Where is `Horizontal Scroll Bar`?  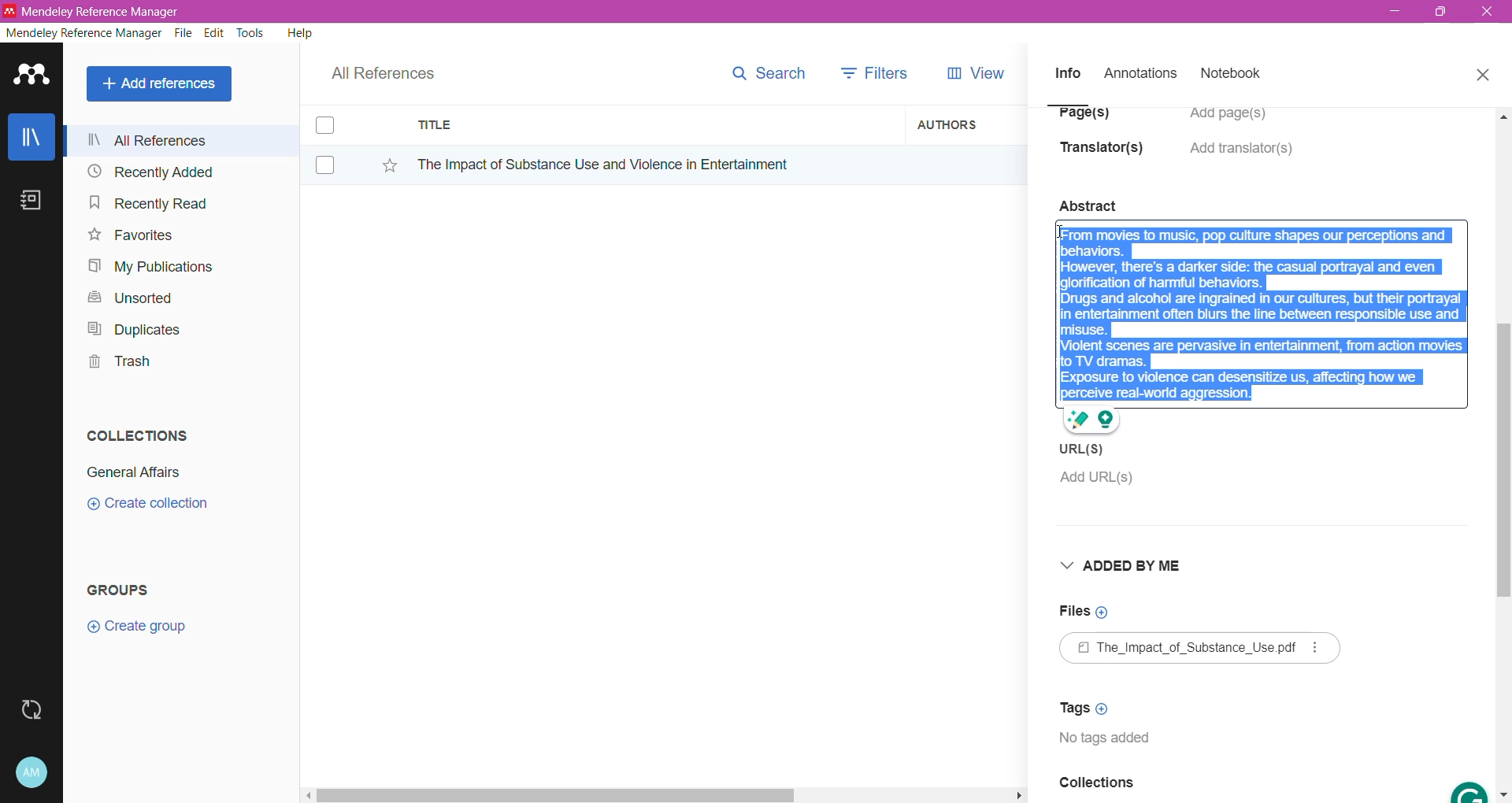 Horizontal Scroll Bar is located at coordinates (662, 794).